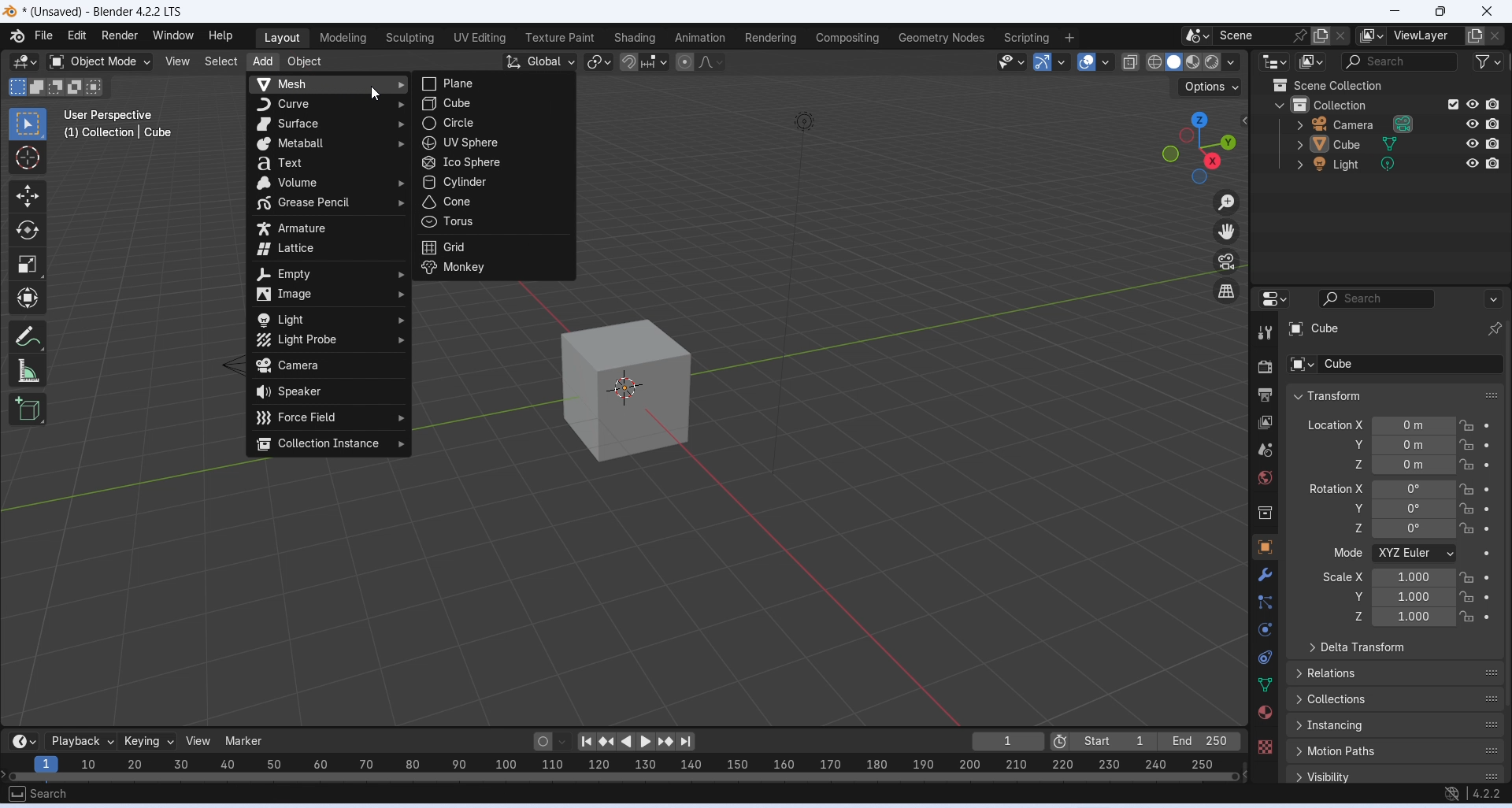  I want to click on marker, so click(246, 740).